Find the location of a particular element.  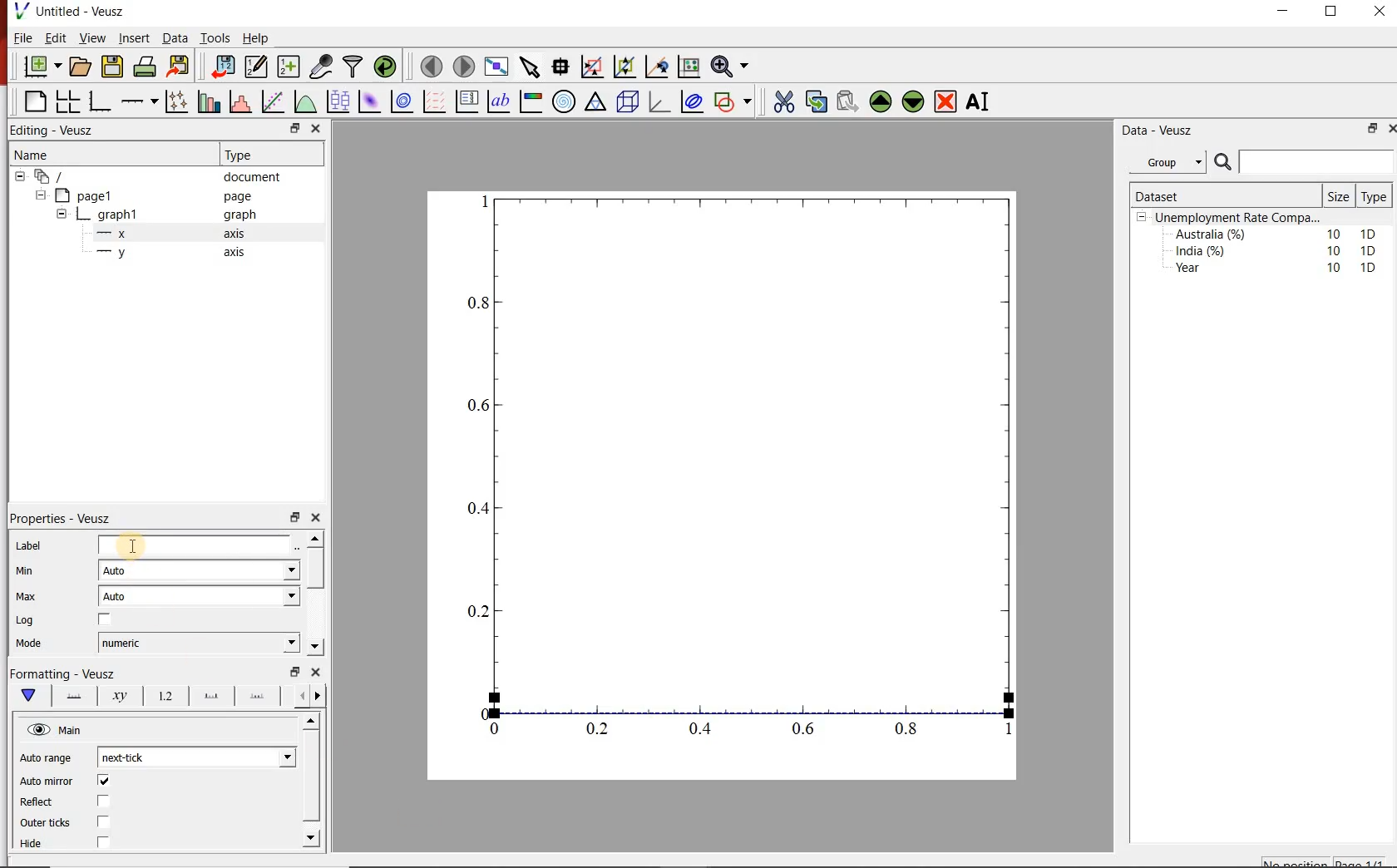

minimise is located at coordinates (295, 670).